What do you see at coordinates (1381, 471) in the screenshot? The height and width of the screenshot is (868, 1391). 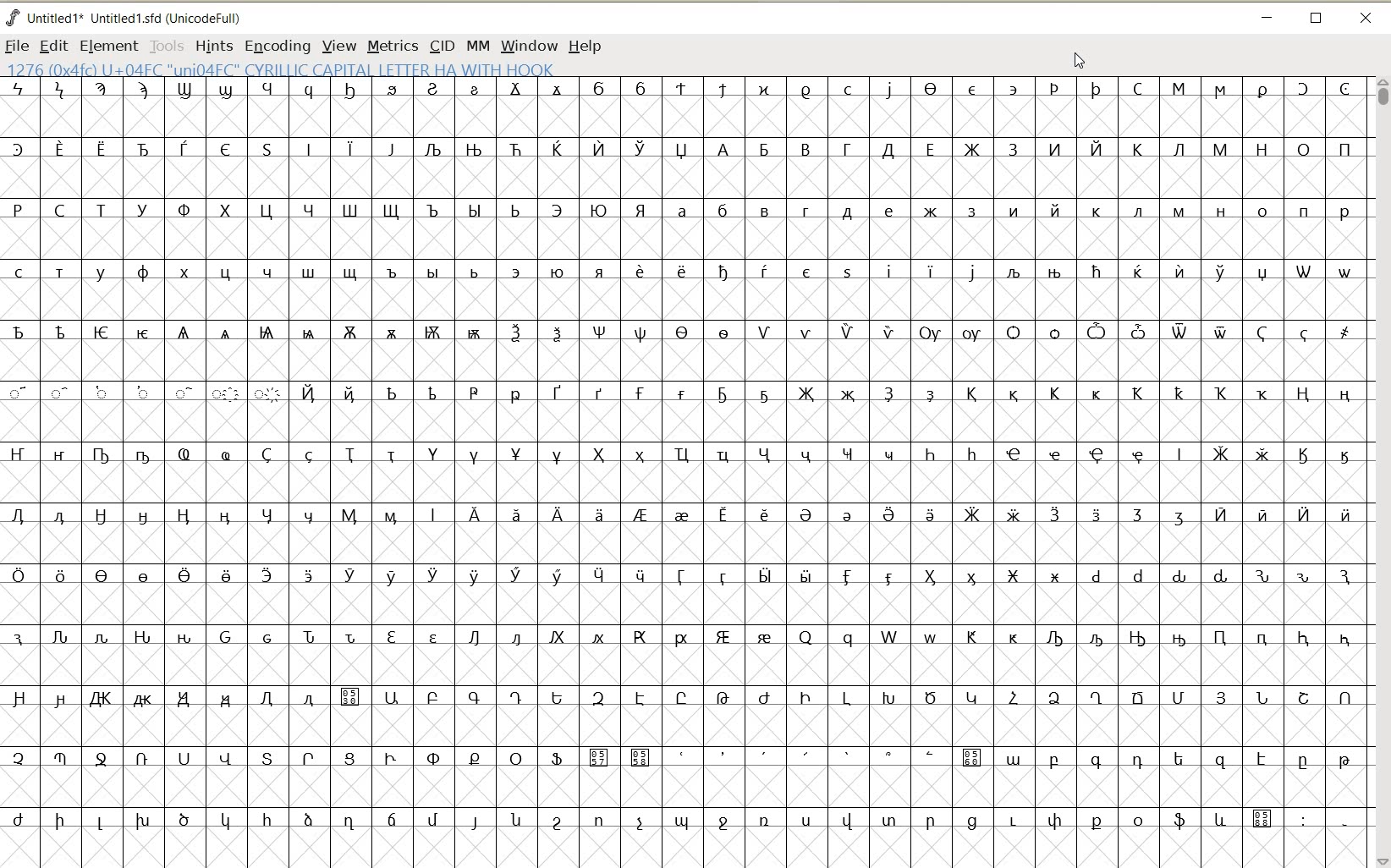 I see `SCROLLBAR` at bounding box center [1381, 471].